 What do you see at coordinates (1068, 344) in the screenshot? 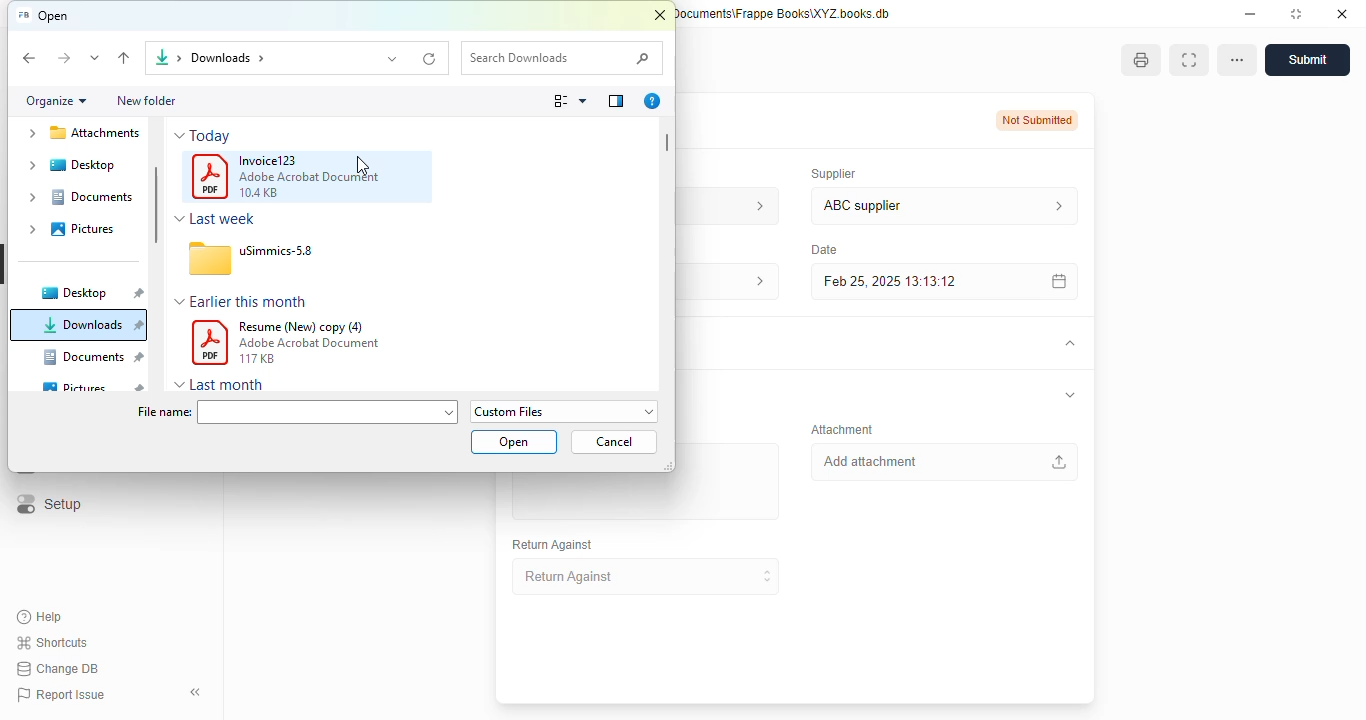
I see `toggle expand/contract` at bounding box center [1068, 344].